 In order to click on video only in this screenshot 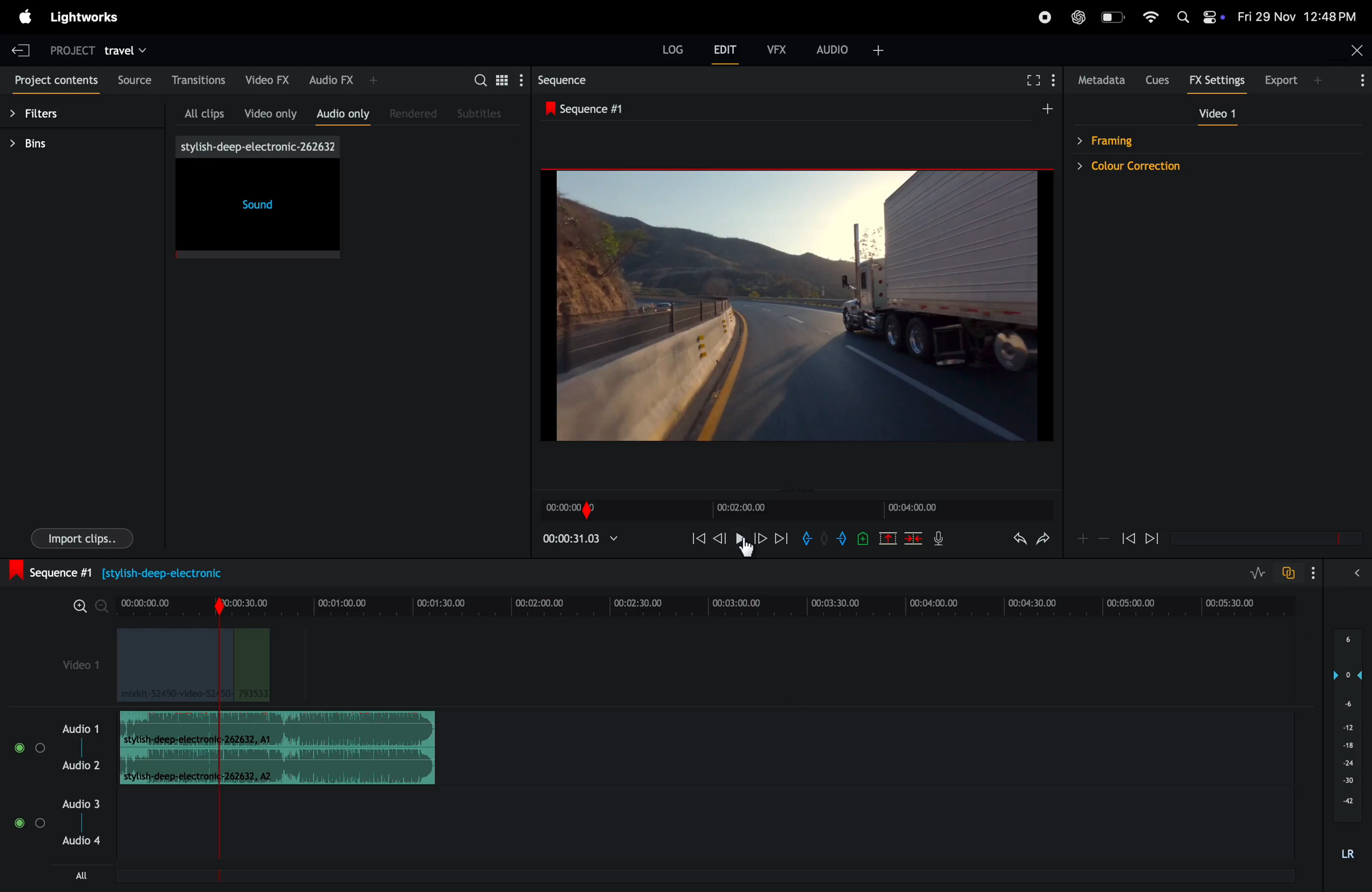, I will do `click(270, 111)`.